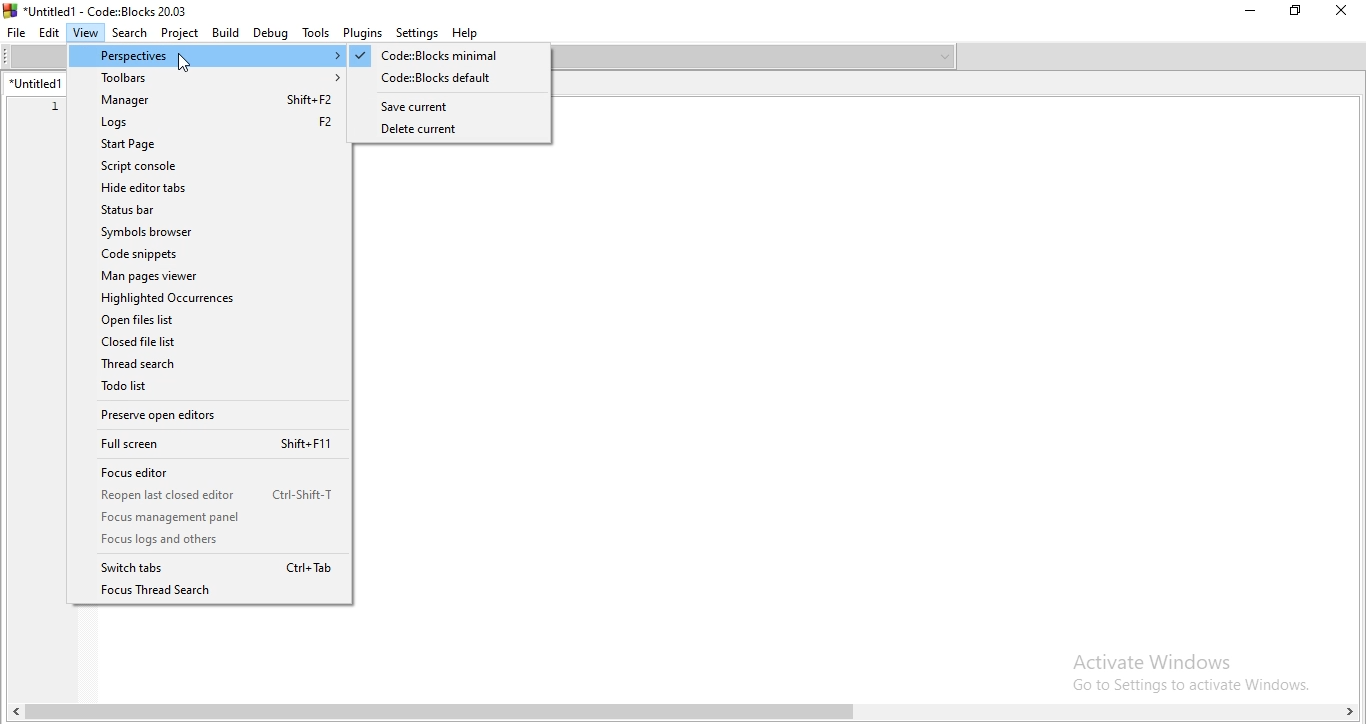 The width and height of the screenshot is (1366, 724). Describe the element at coordinates (452, 56) in the screenshot. I see `highlighted Code:Blocks minimal` at that location.